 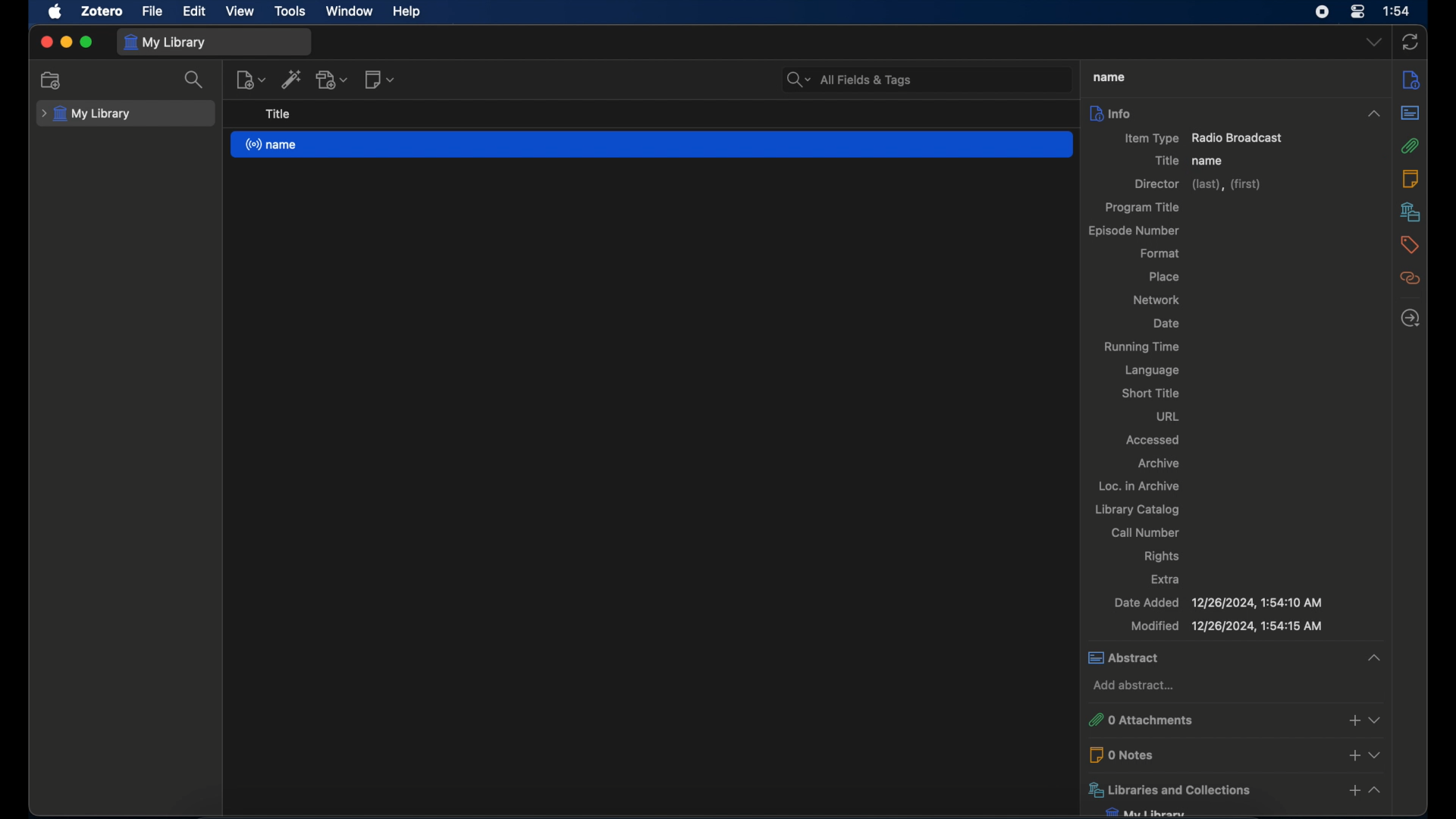 I want to click on close, so click(x=45, y=42).